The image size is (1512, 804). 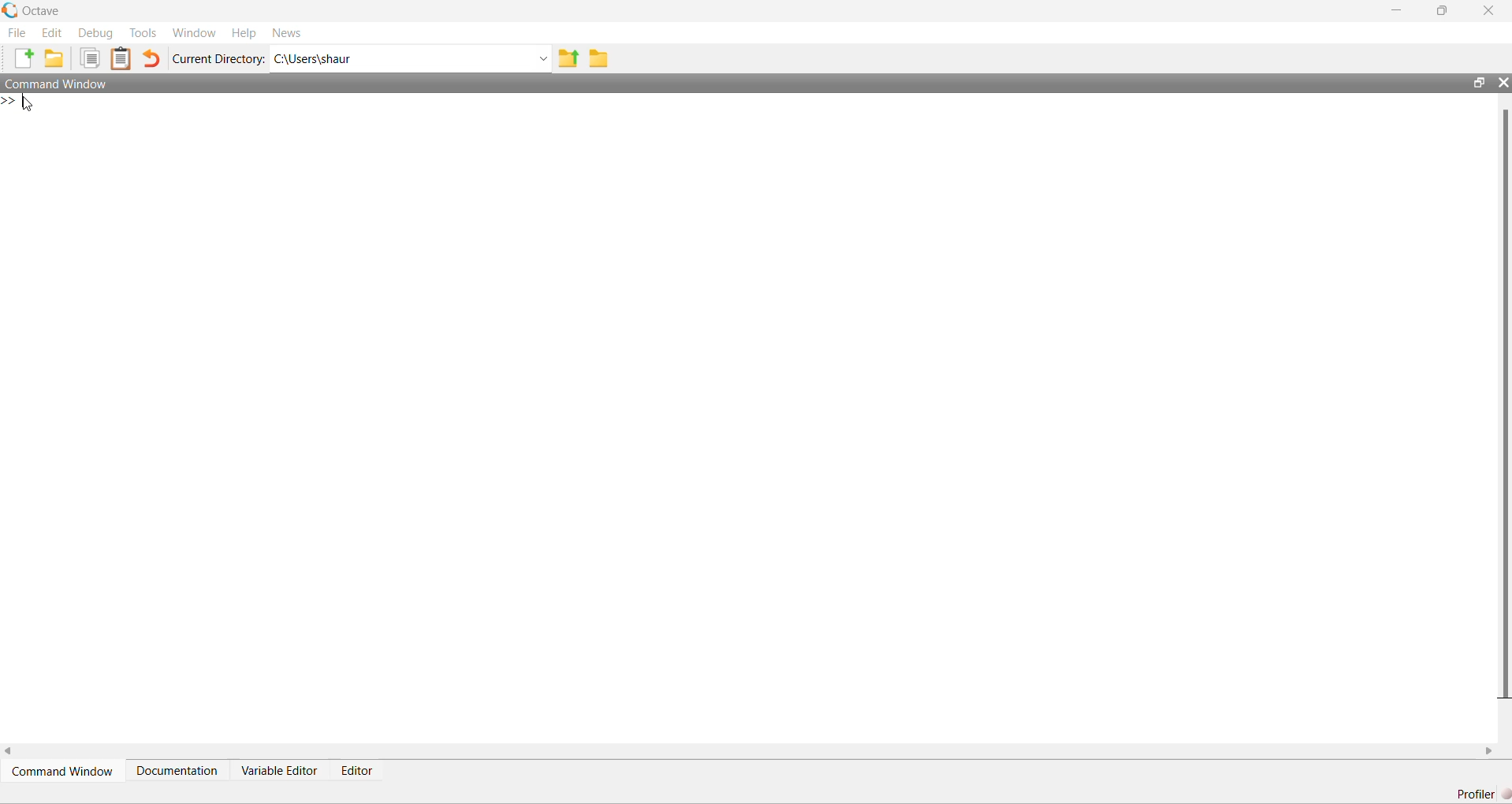 What do you see at coordinates (43, 11) in the screenshot?
I see `octave` at bounding box center [43, 11].